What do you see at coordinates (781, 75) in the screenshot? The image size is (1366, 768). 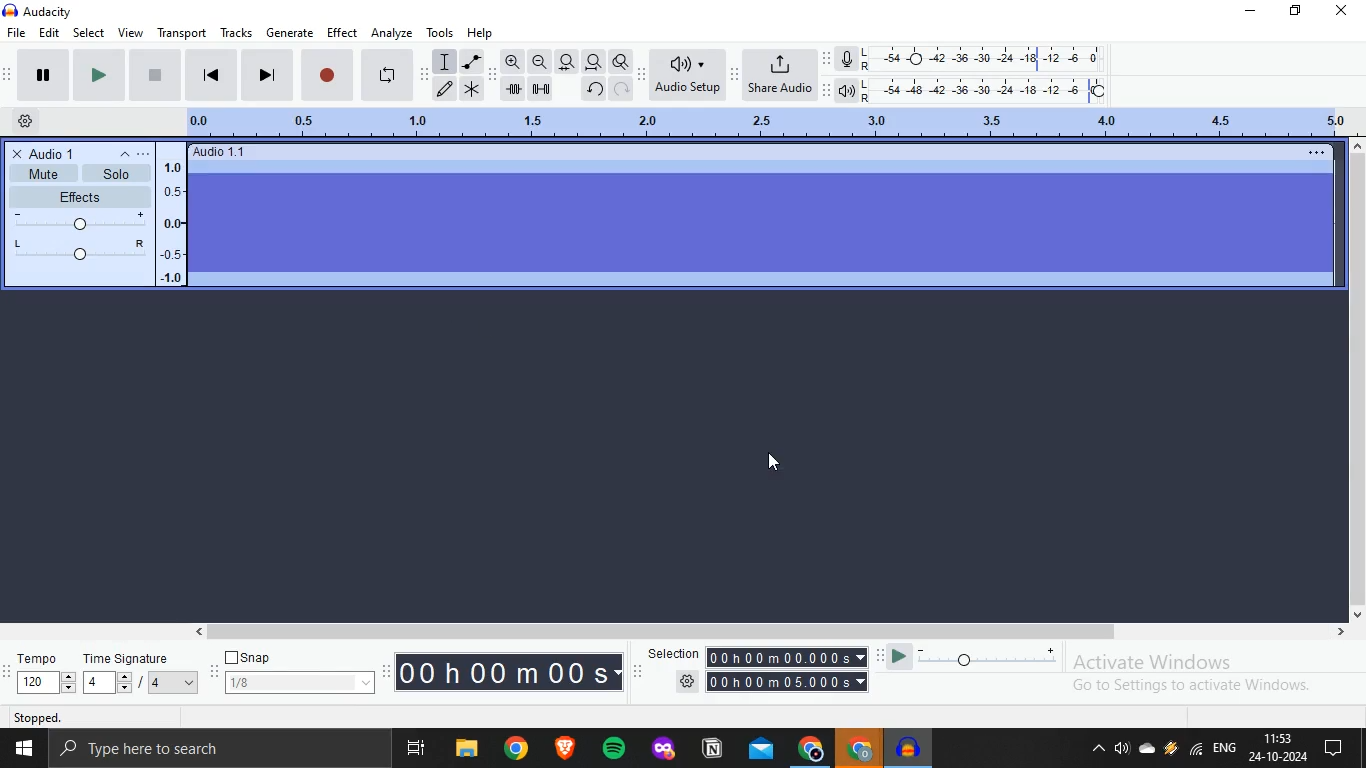 I see `Share Audio` at bounding box center [781, 75].